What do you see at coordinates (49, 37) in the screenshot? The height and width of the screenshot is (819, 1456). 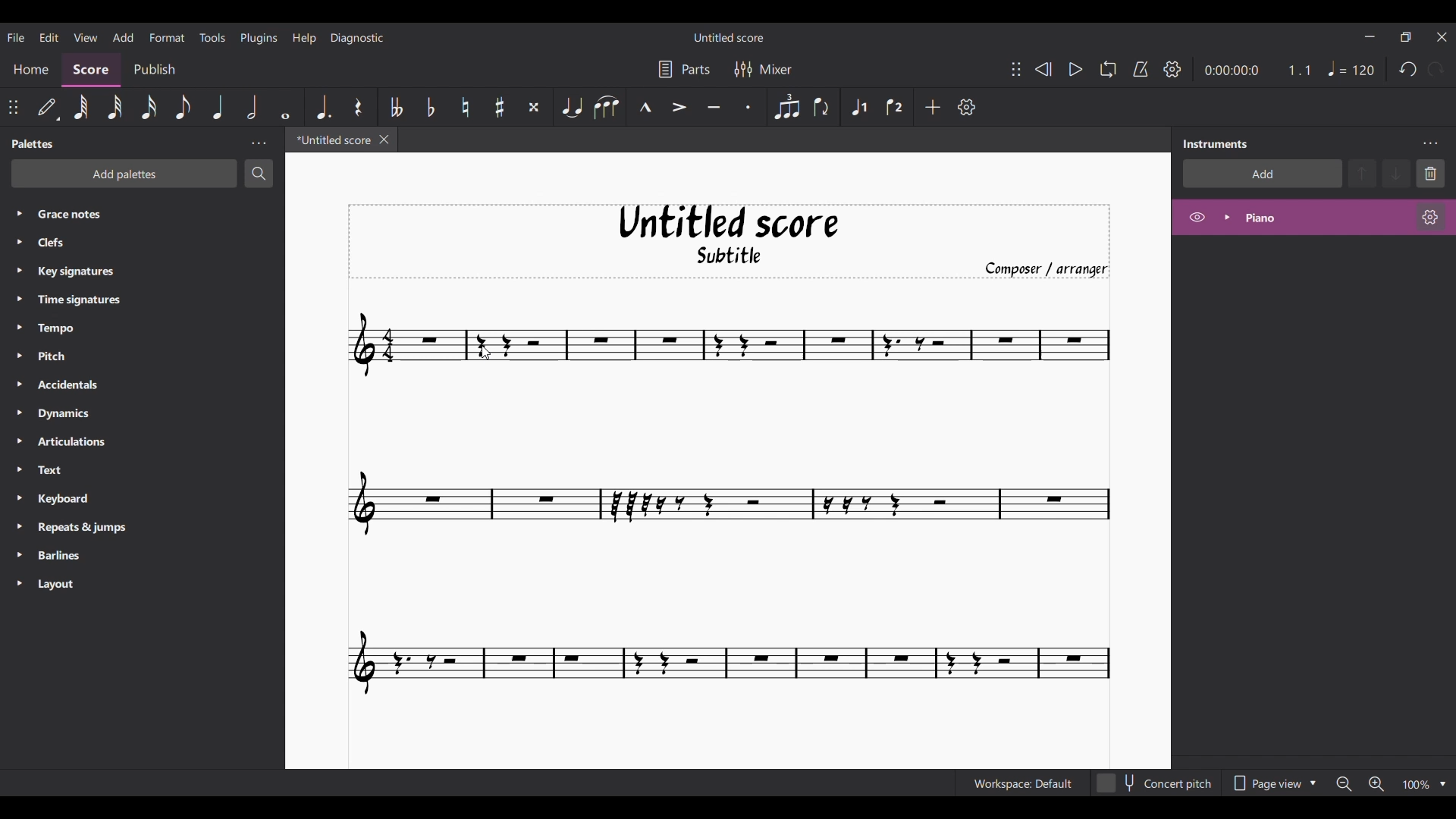 I see `Edit menu` at bounding box center [49, 37].